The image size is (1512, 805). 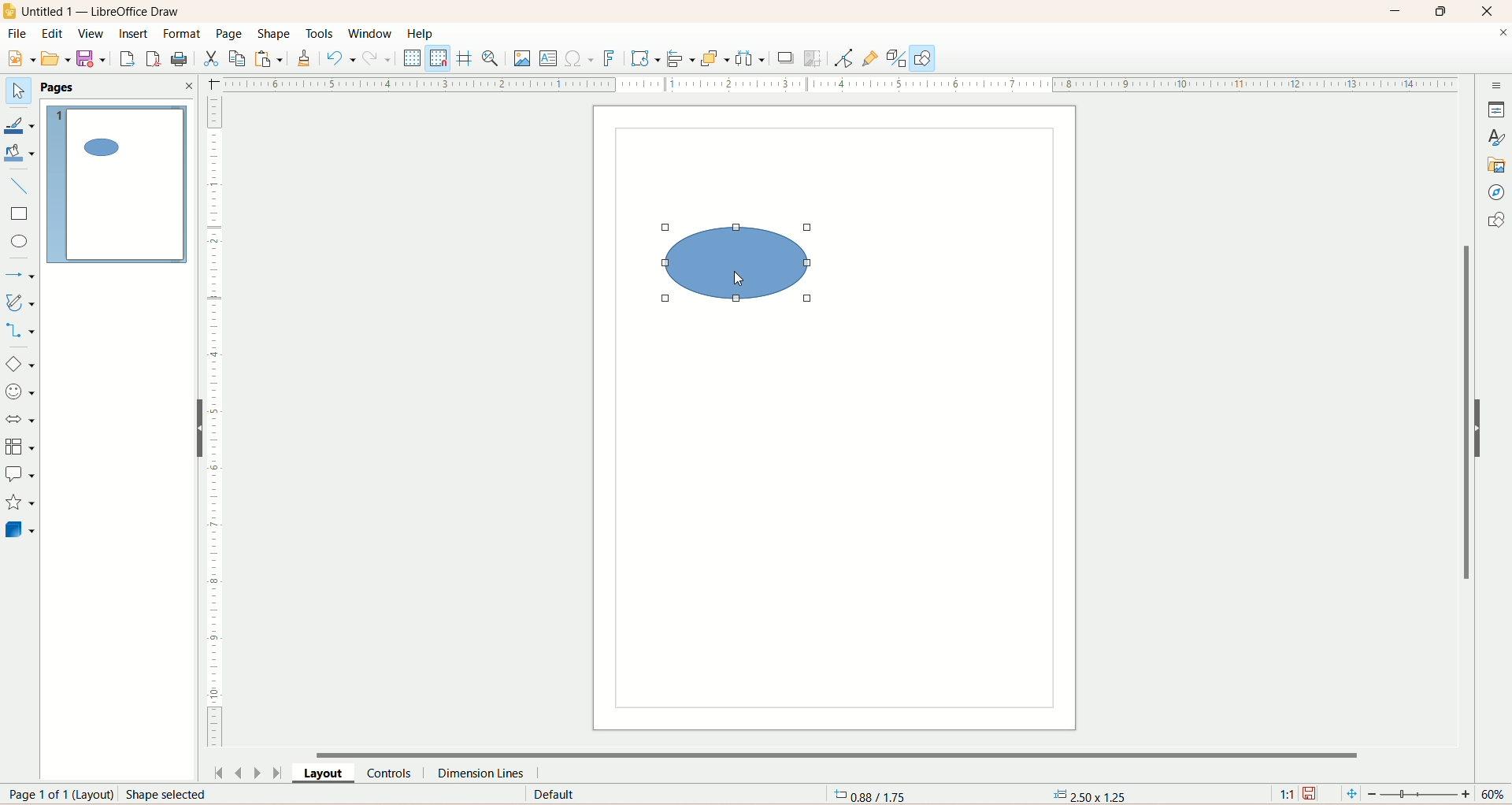 I want to click on select atleast three objects to distribute, so click(x=752, y=58).